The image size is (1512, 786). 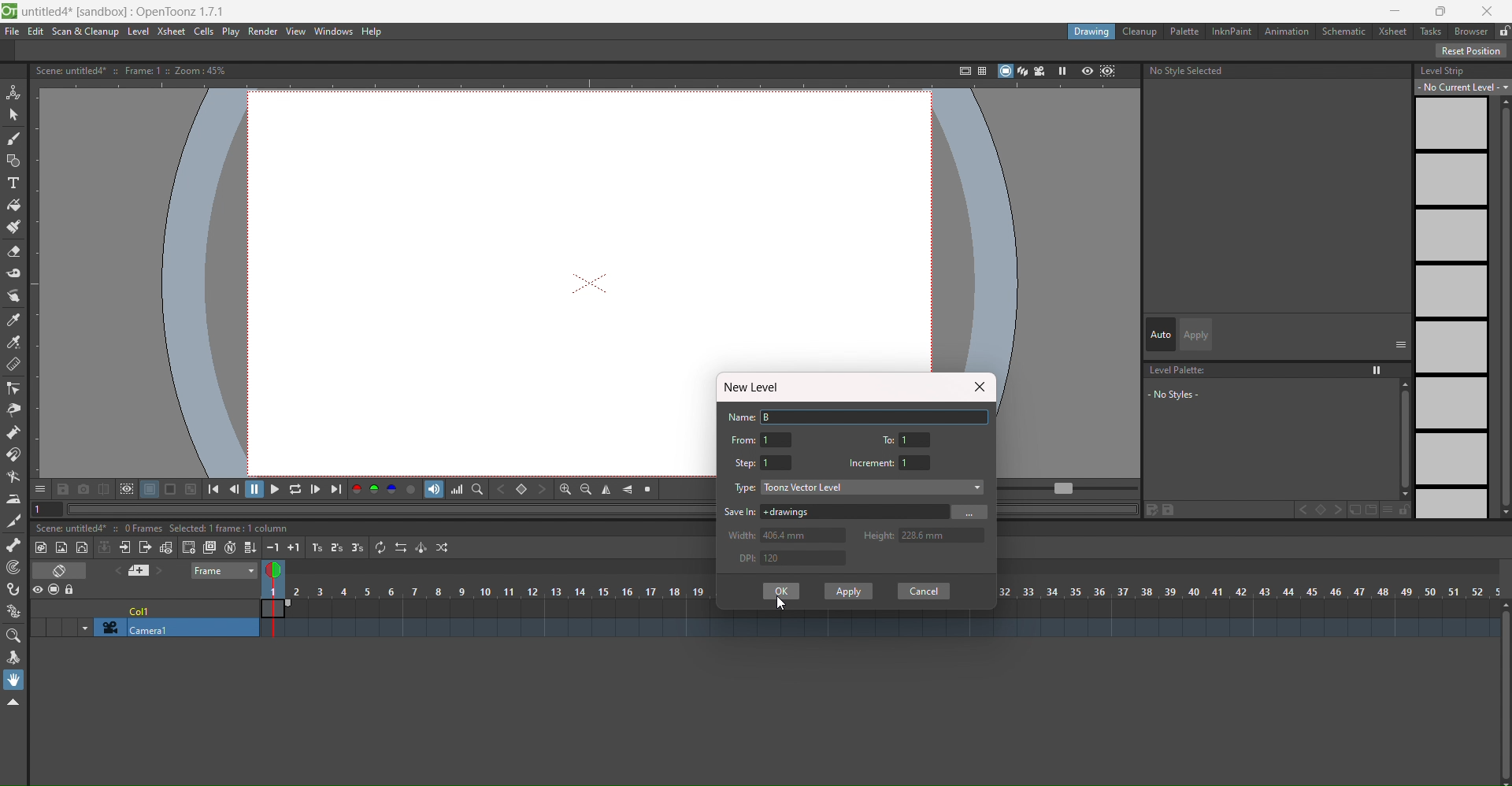 I want to click on from, so click(x=743, y=439).